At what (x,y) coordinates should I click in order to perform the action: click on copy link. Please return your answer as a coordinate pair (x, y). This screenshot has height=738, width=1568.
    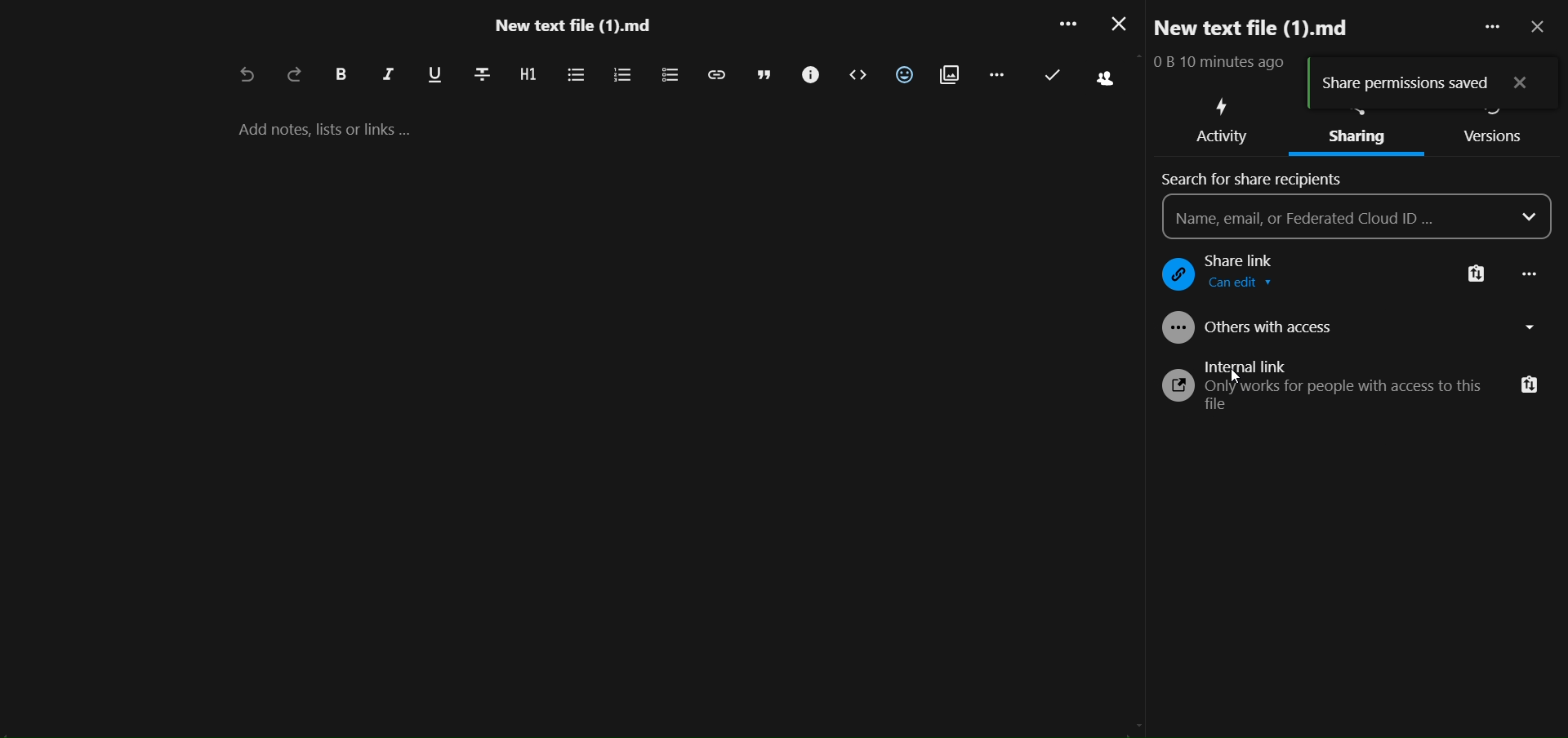
    Looking at the image, I should click on (1476, 276).